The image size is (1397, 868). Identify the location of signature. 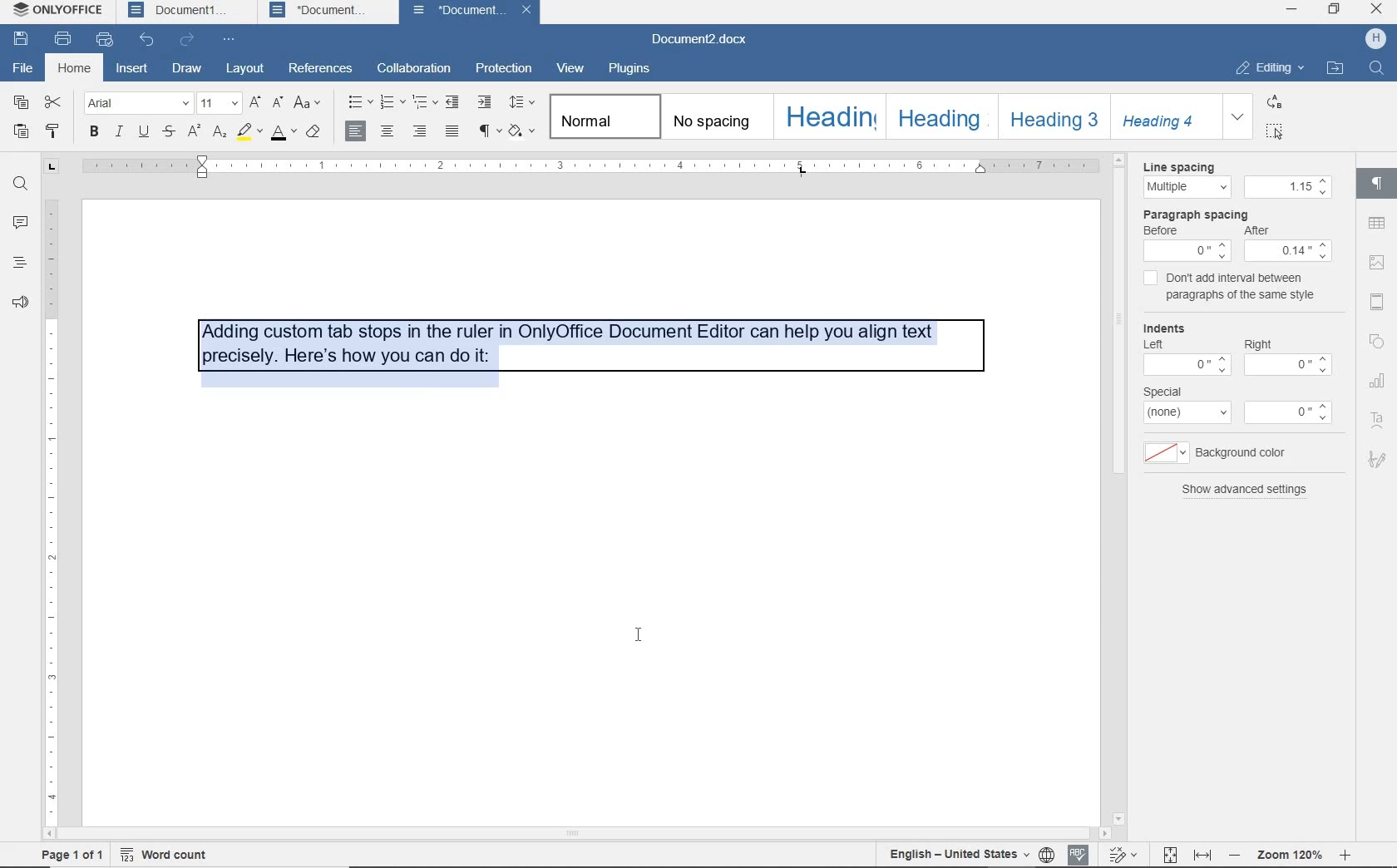
(1379, 456).